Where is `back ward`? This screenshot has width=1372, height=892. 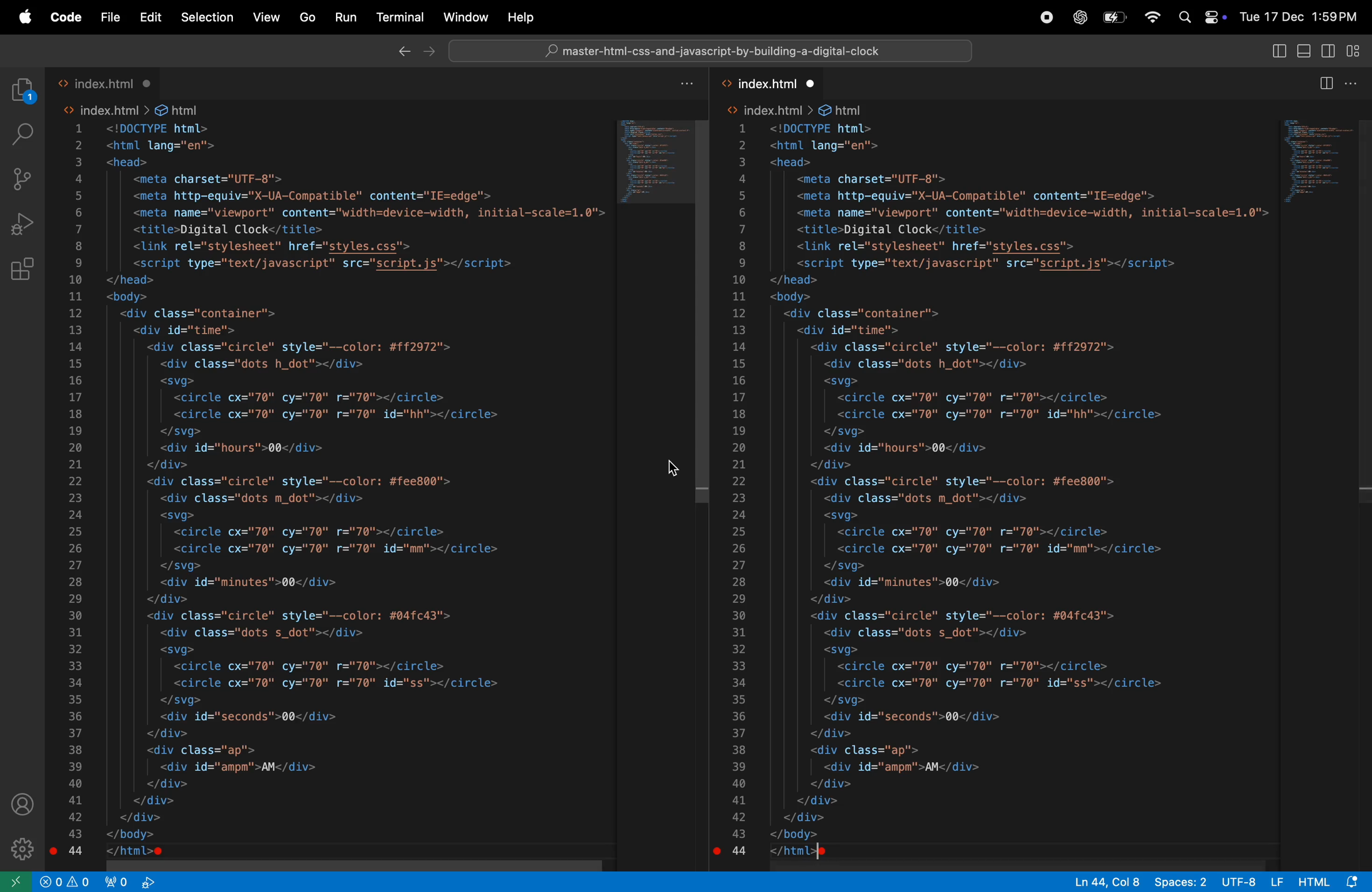 back ward is located at coordinates (404, 54).